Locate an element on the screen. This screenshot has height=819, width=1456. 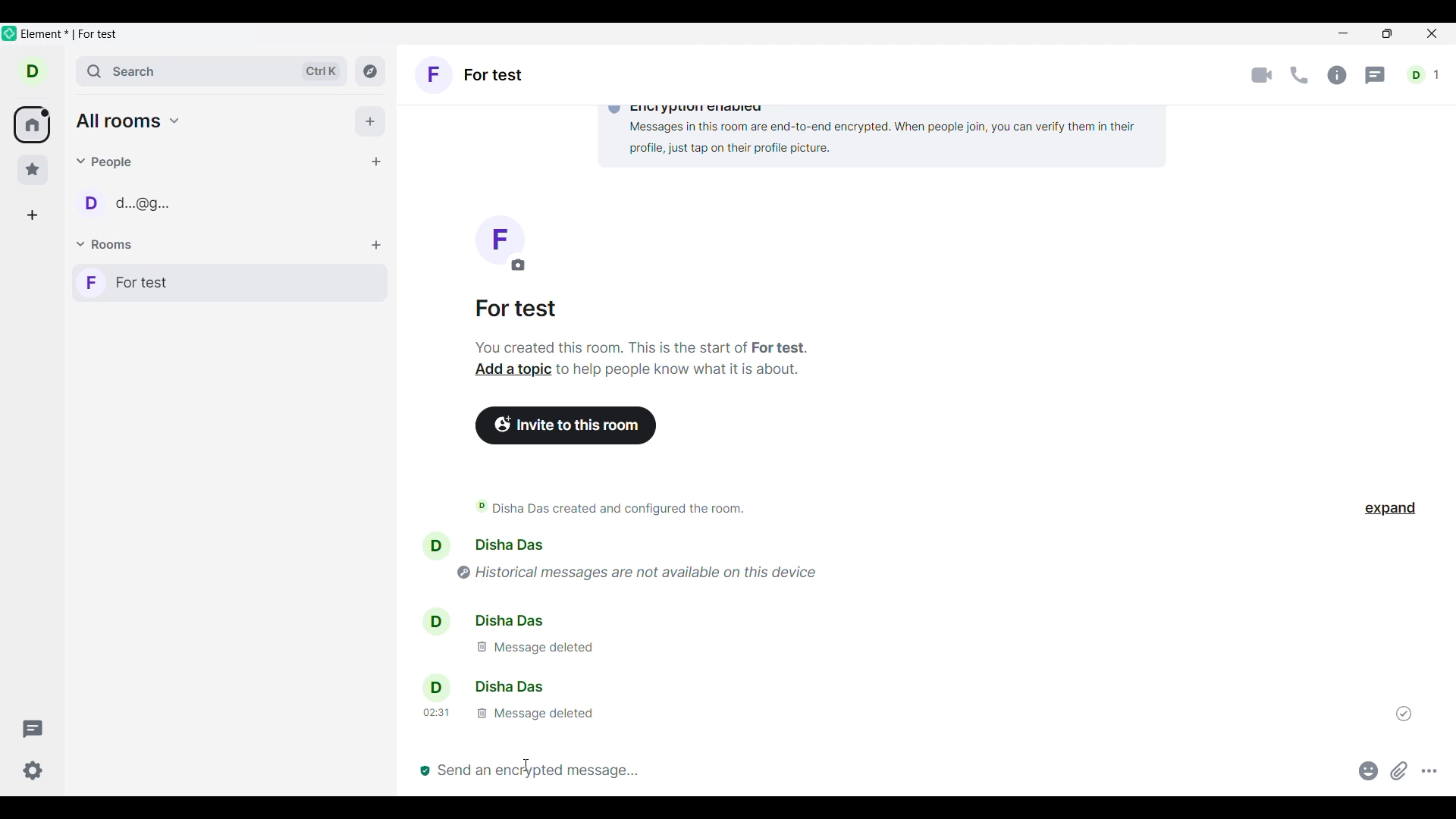
Add is located at coordinates (370, 121).